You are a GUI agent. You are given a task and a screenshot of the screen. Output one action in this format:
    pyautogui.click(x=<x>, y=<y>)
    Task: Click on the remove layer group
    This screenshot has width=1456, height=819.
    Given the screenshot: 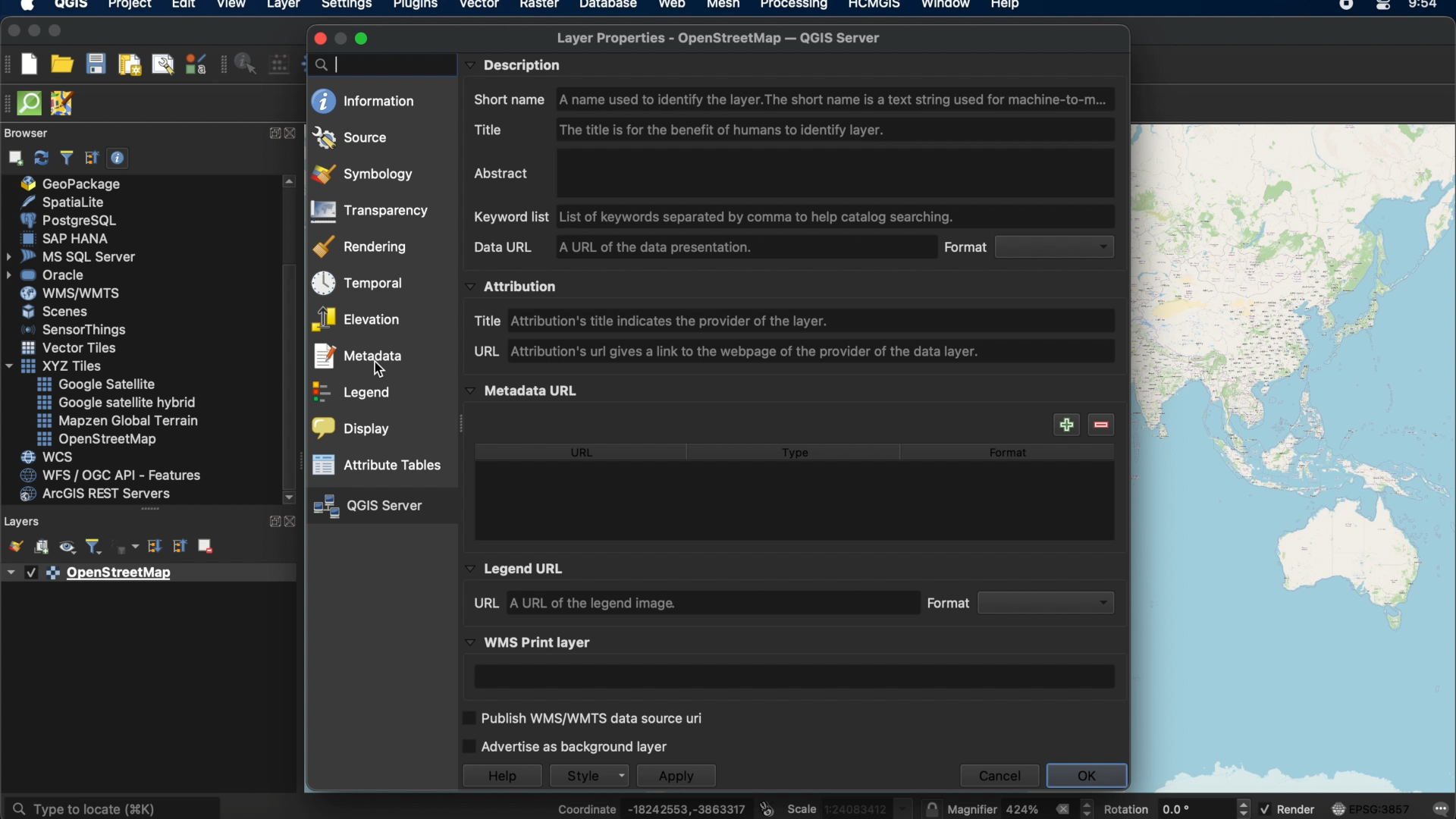 What is the action you would take?
    pyautogui.click(x=207, y=547)
    